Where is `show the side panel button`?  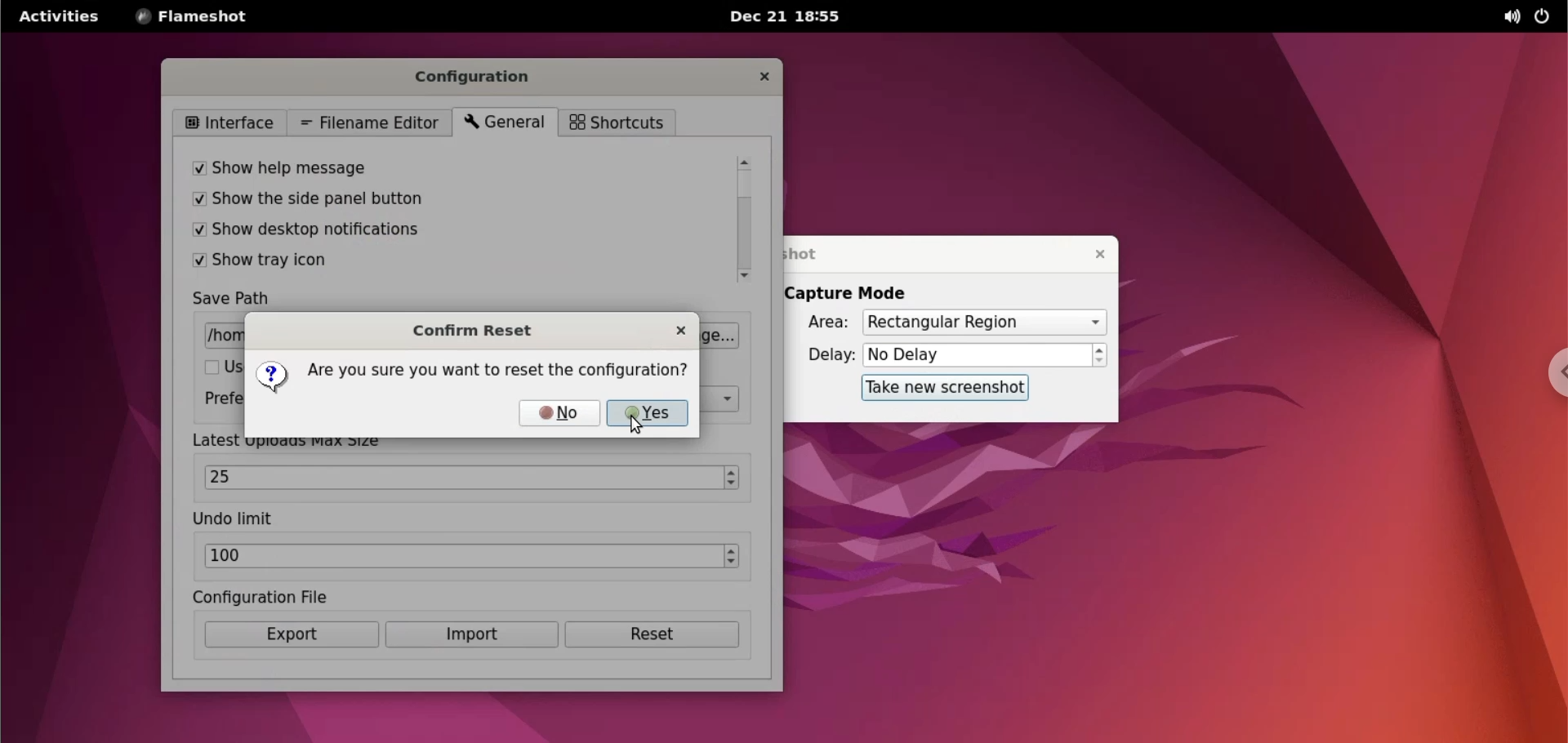 show the side panel button is located at coordinates (404, 201).